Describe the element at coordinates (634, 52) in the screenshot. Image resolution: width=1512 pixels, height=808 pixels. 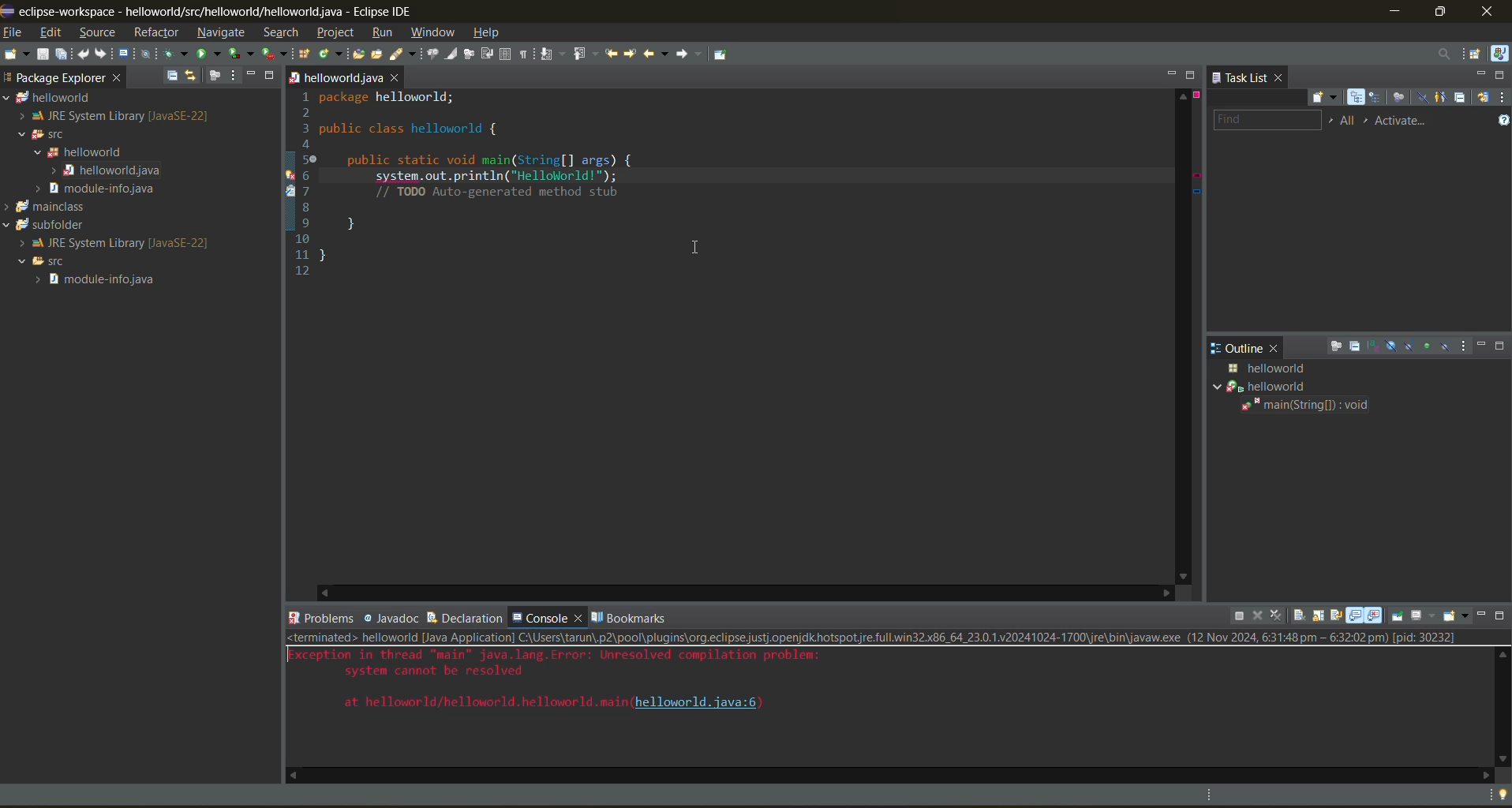
I see `next edit location` at that location.